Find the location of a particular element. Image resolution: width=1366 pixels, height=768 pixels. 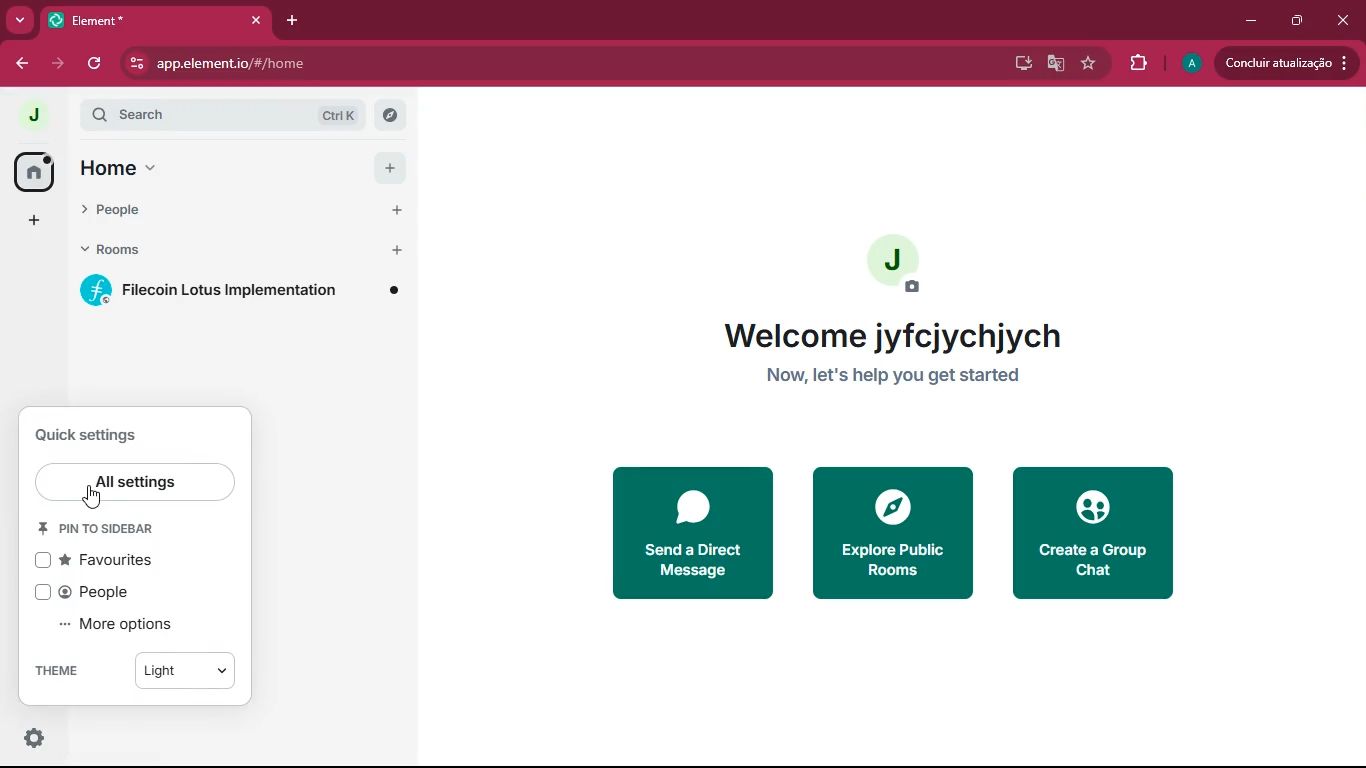

back is located at coordinates (23, 64).